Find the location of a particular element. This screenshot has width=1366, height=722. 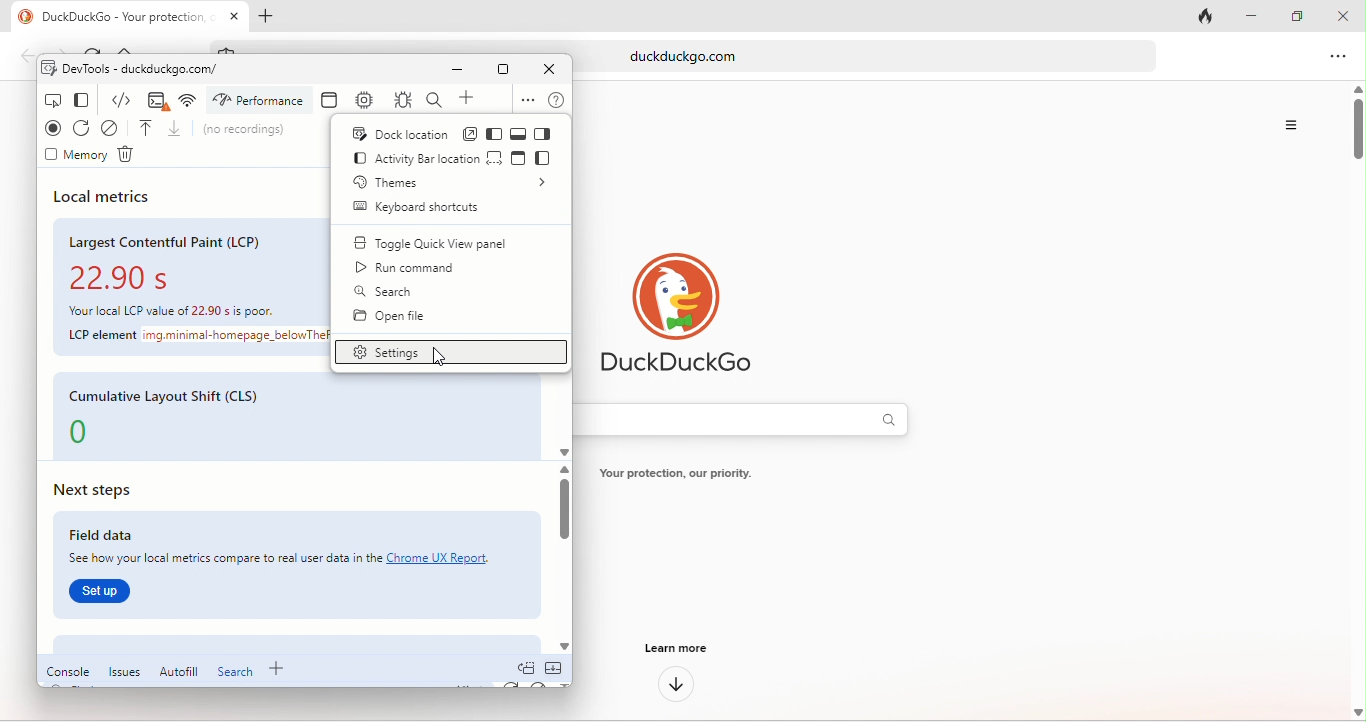

performance is located at coordinates (261, 100).